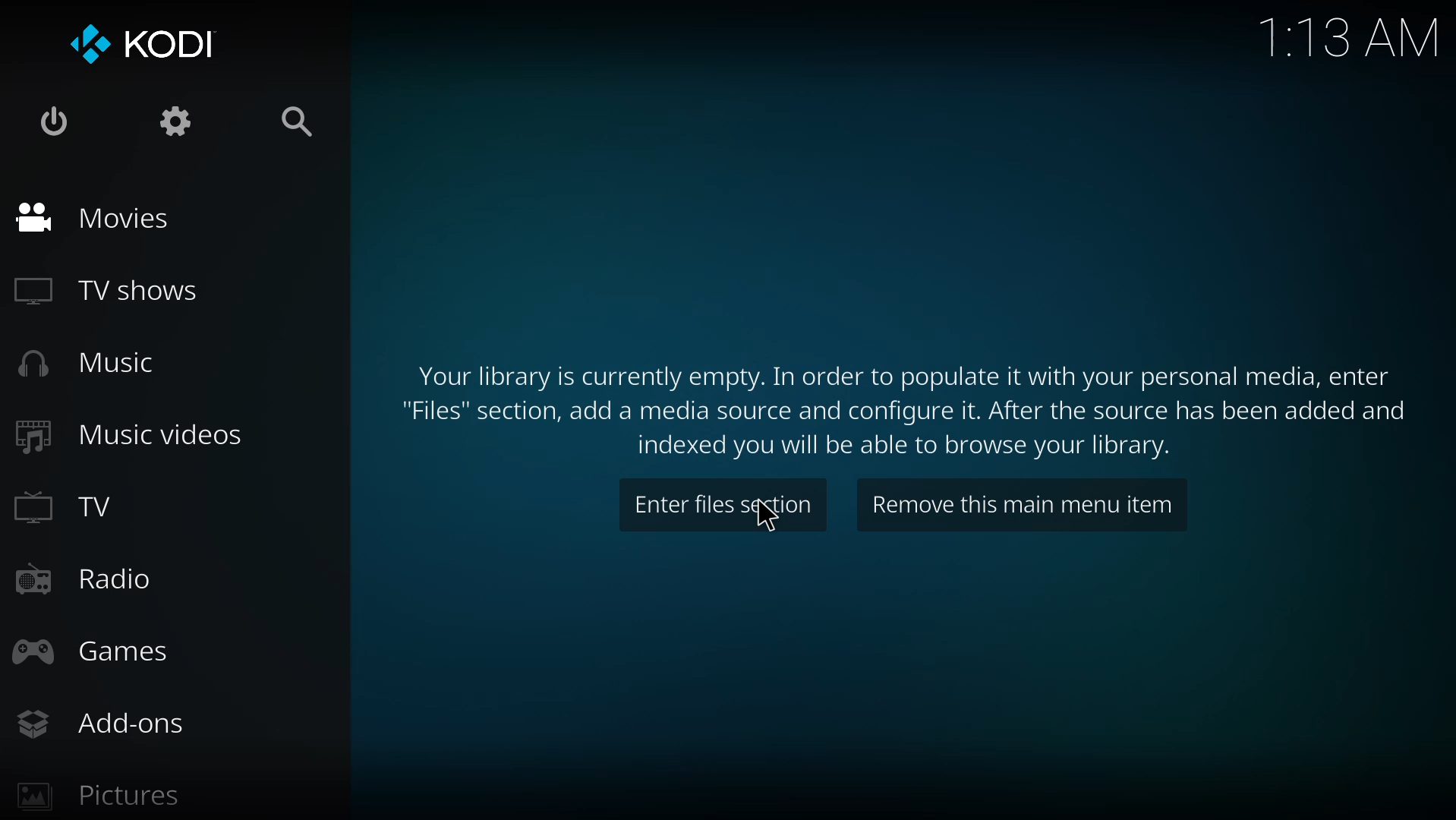 The width and height of the screenshot is (1456, 820). Describe the element at coordinates (47, 125) in the screenshot. I see `power` at that location.